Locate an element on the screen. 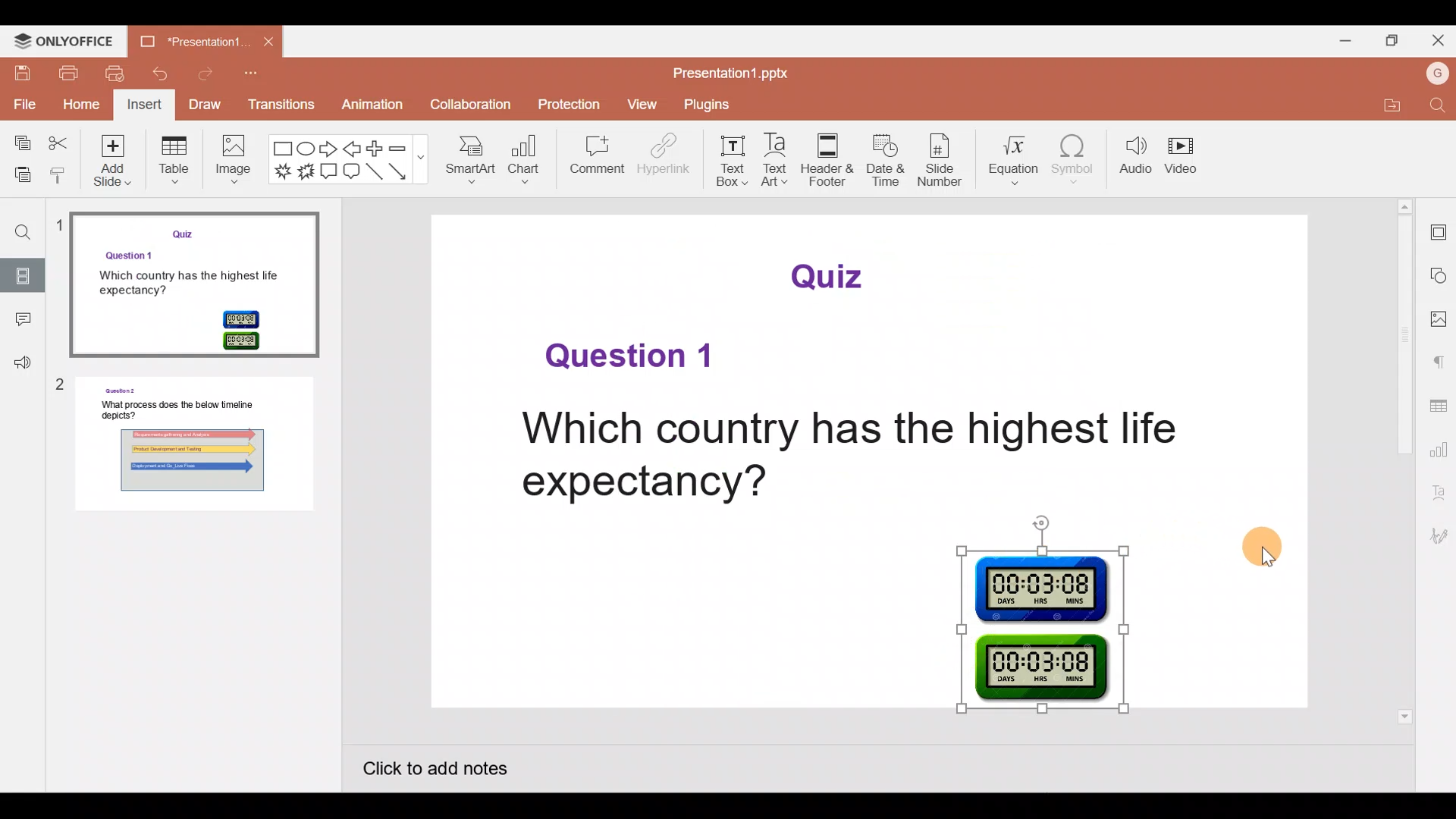 This screenshot has height=819, width=1456. Audio is located at coordinates (1131, 155).